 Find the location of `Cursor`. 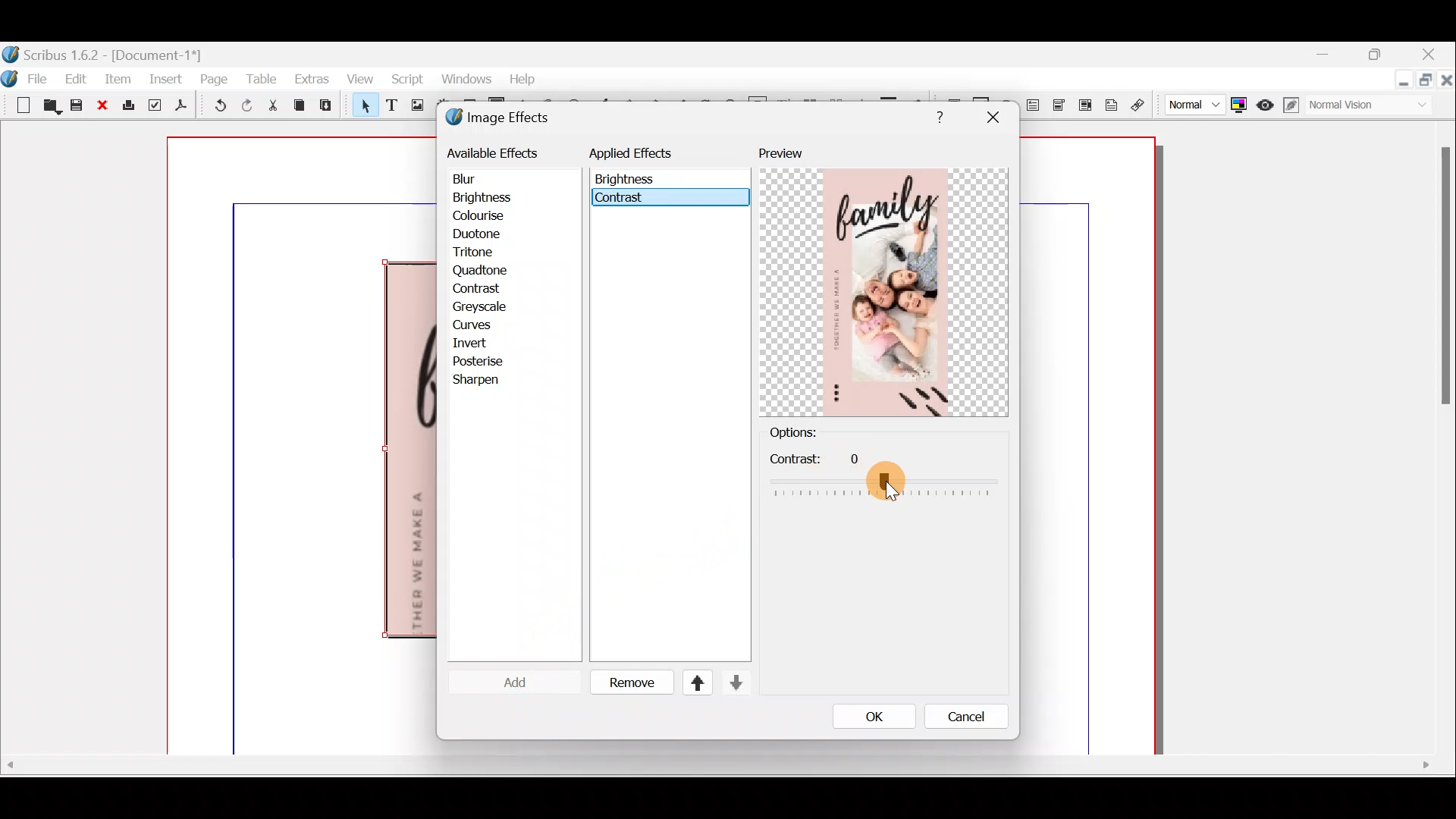

Cursor is located at coordinates (889, 490).